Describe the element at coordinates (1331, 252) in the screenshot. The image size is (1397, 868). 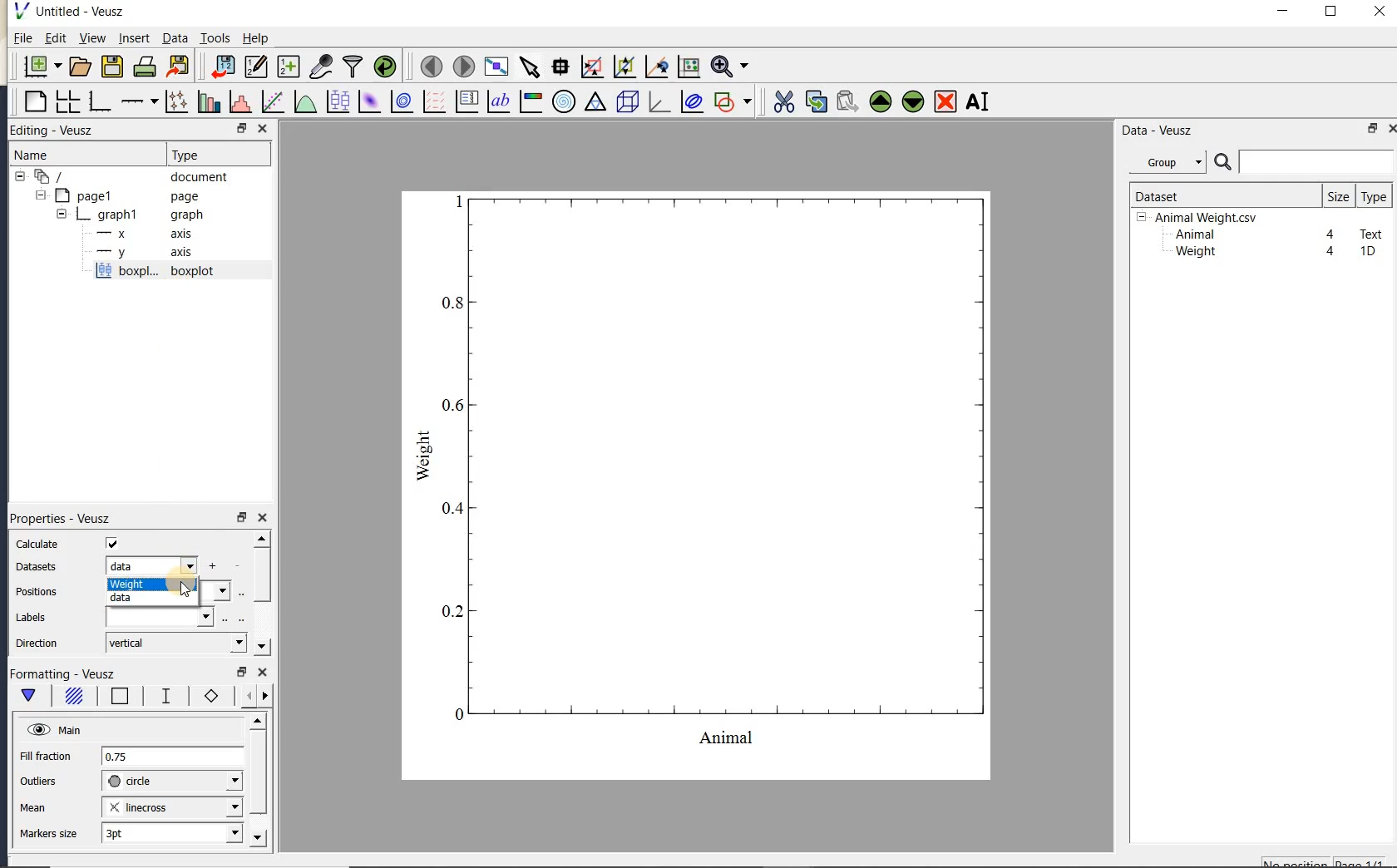
I see `4` at that location.